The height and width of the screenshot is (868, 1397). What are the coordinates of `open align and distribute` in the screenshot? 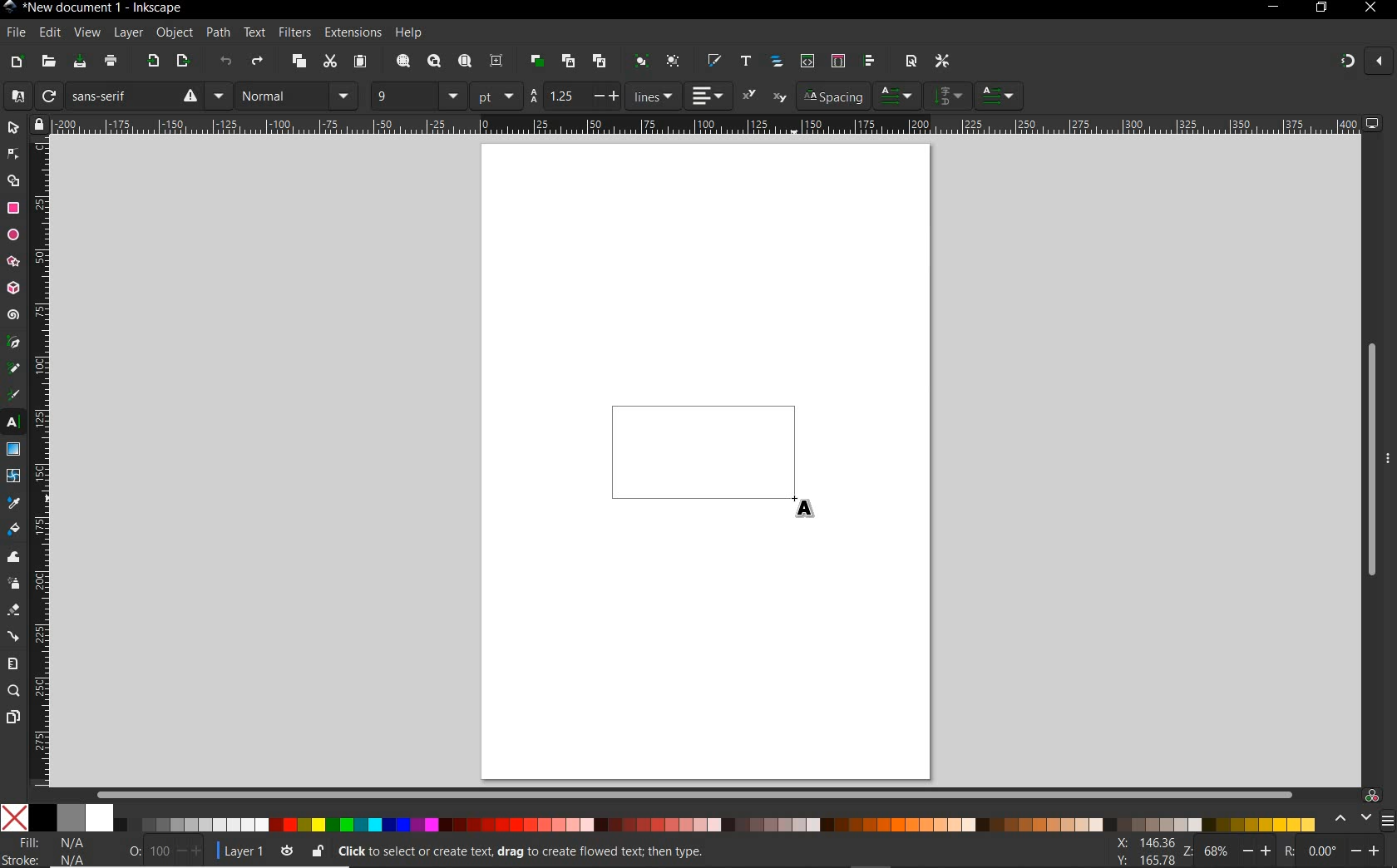 It's located at (868, 61).